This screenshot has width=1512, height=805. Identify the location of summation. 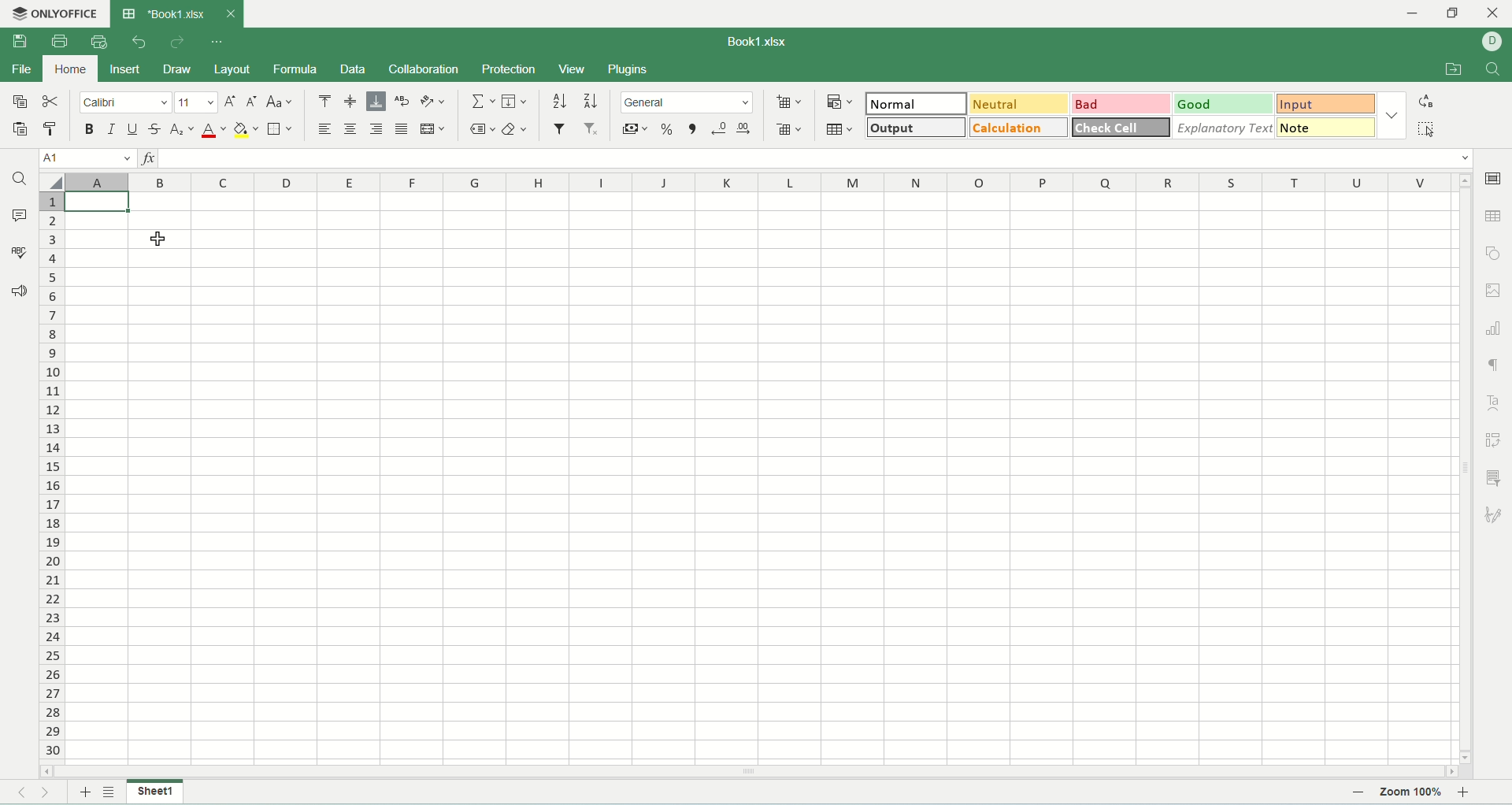
(481, 101).